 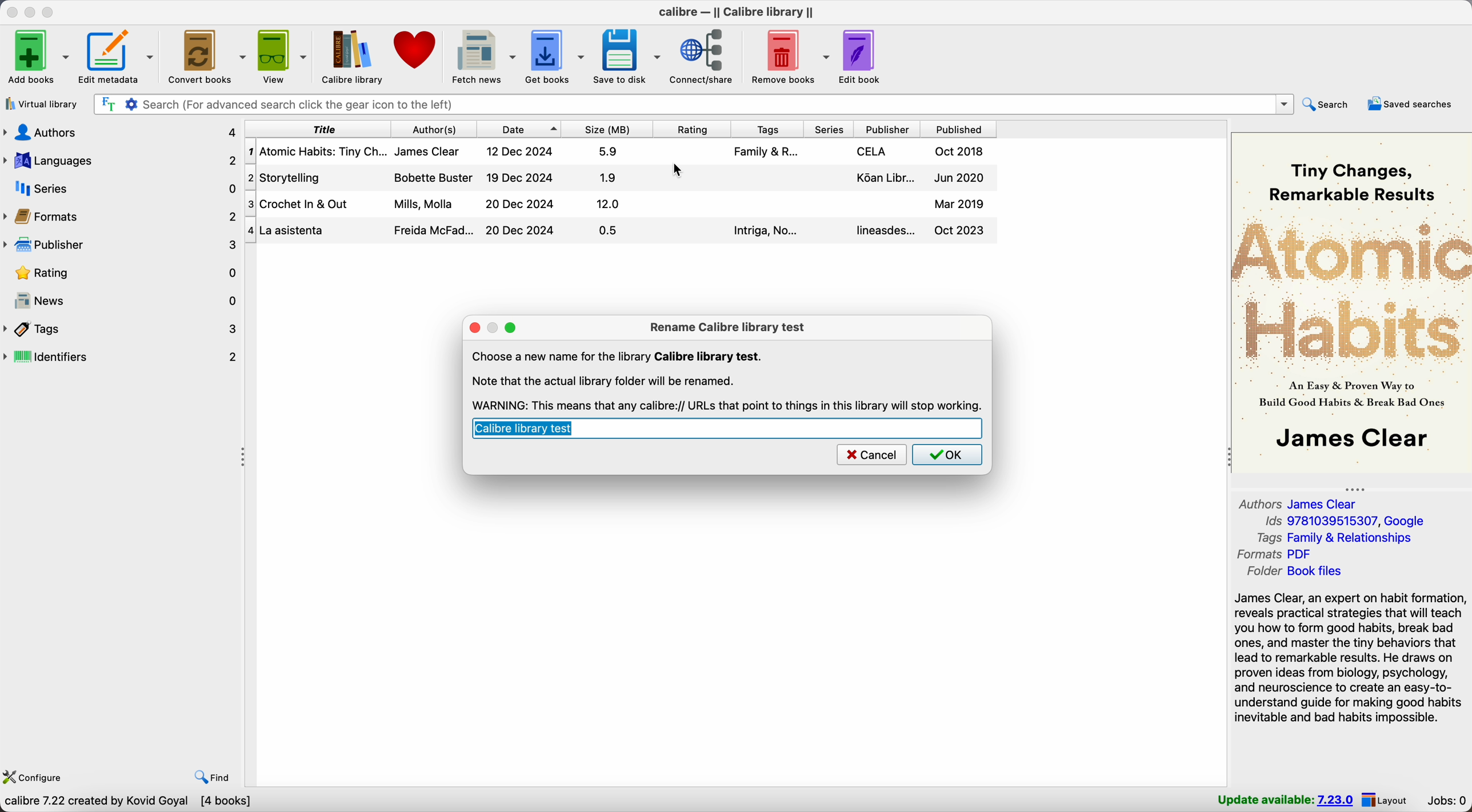 I want to click on find, so click(x=211, y=777).